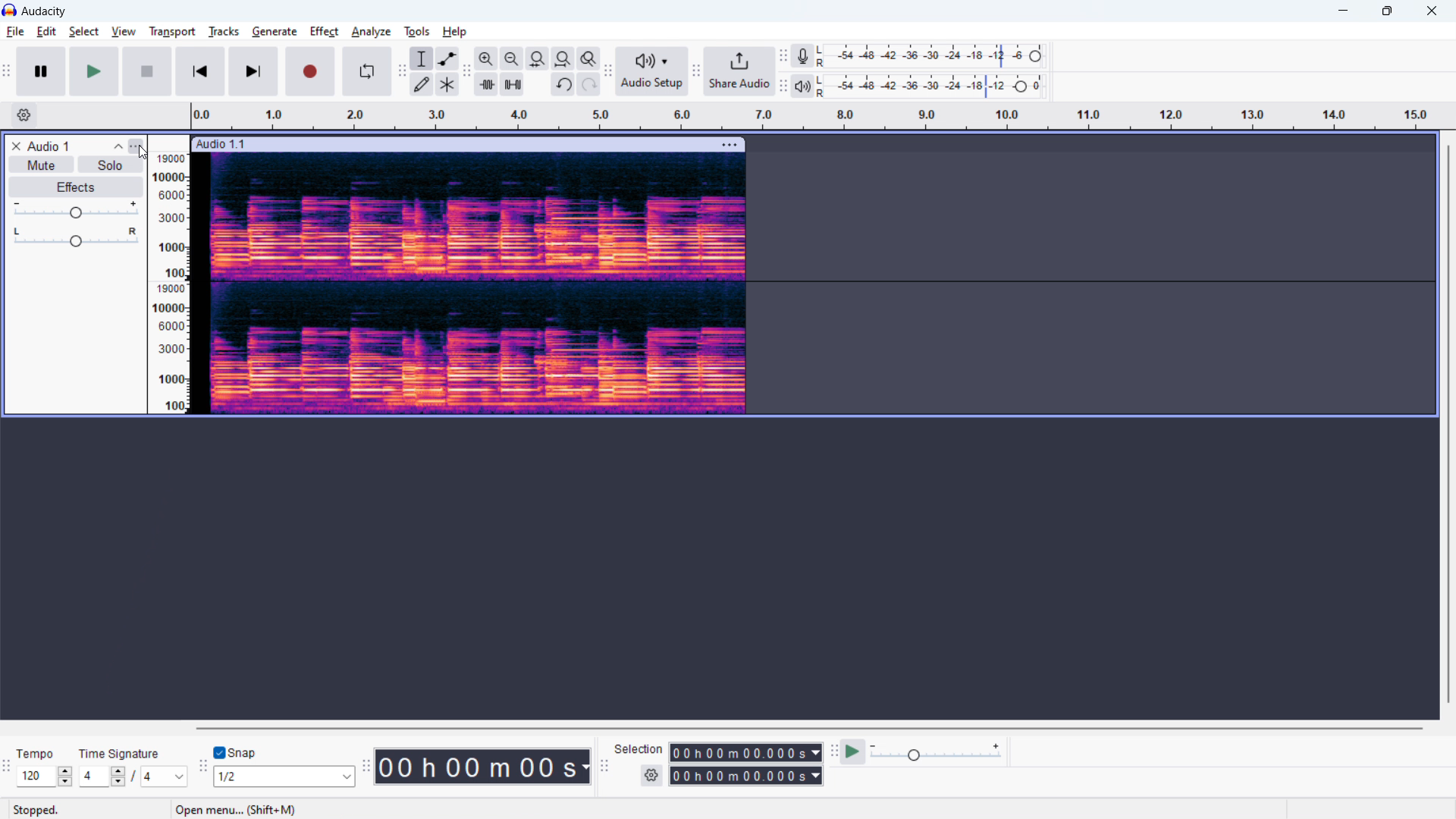 The width and height of the screenshot is (1456, 819). What do you see at coordinates (853, 752) in the screenshot?
I see `play at speed` at bounding box center [853, 752].